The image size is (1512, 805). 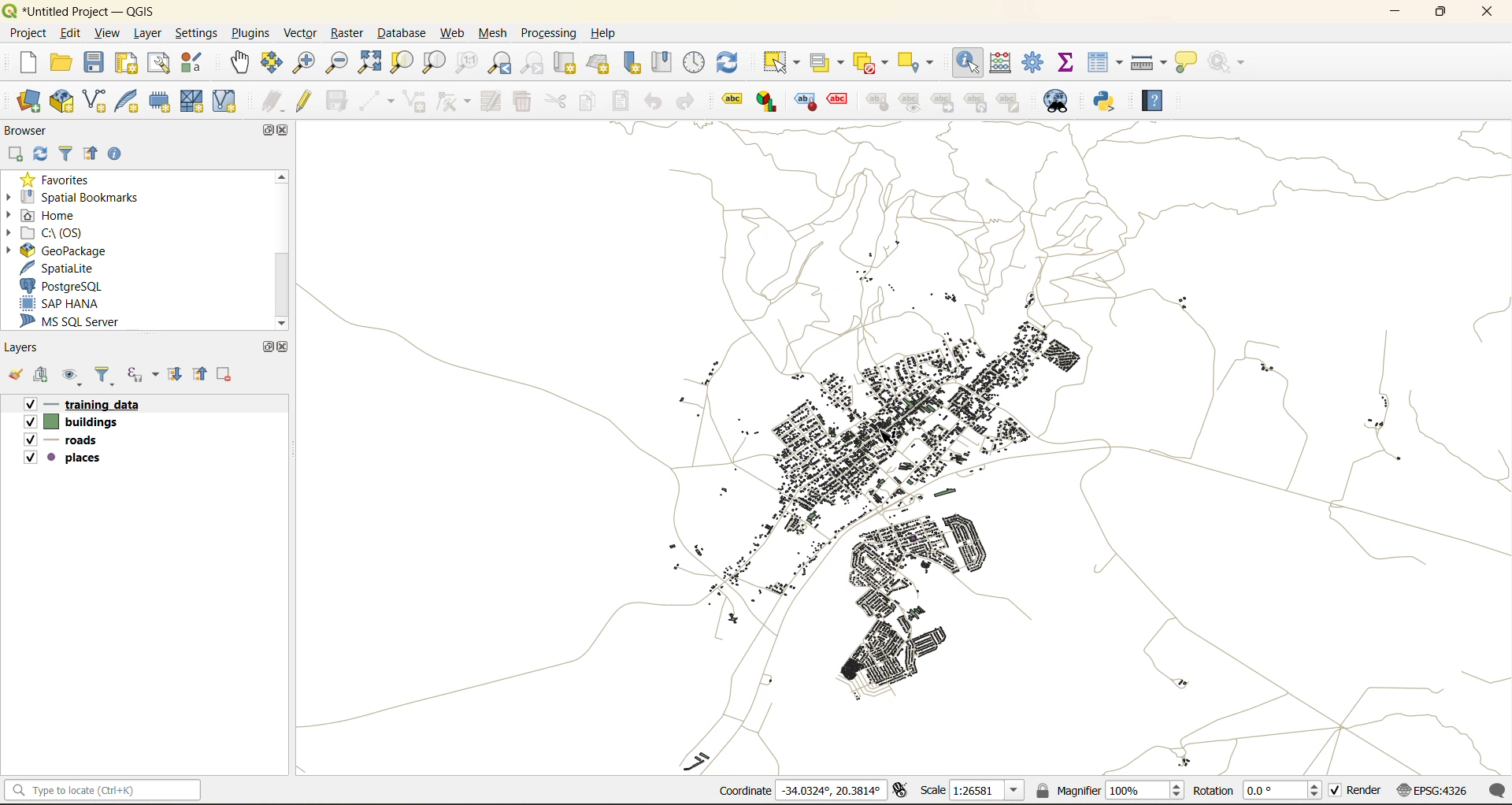 What do you see at coordinates (265, 130) in the screenshot?
I see `maximize` at bounding box center [265, 130].